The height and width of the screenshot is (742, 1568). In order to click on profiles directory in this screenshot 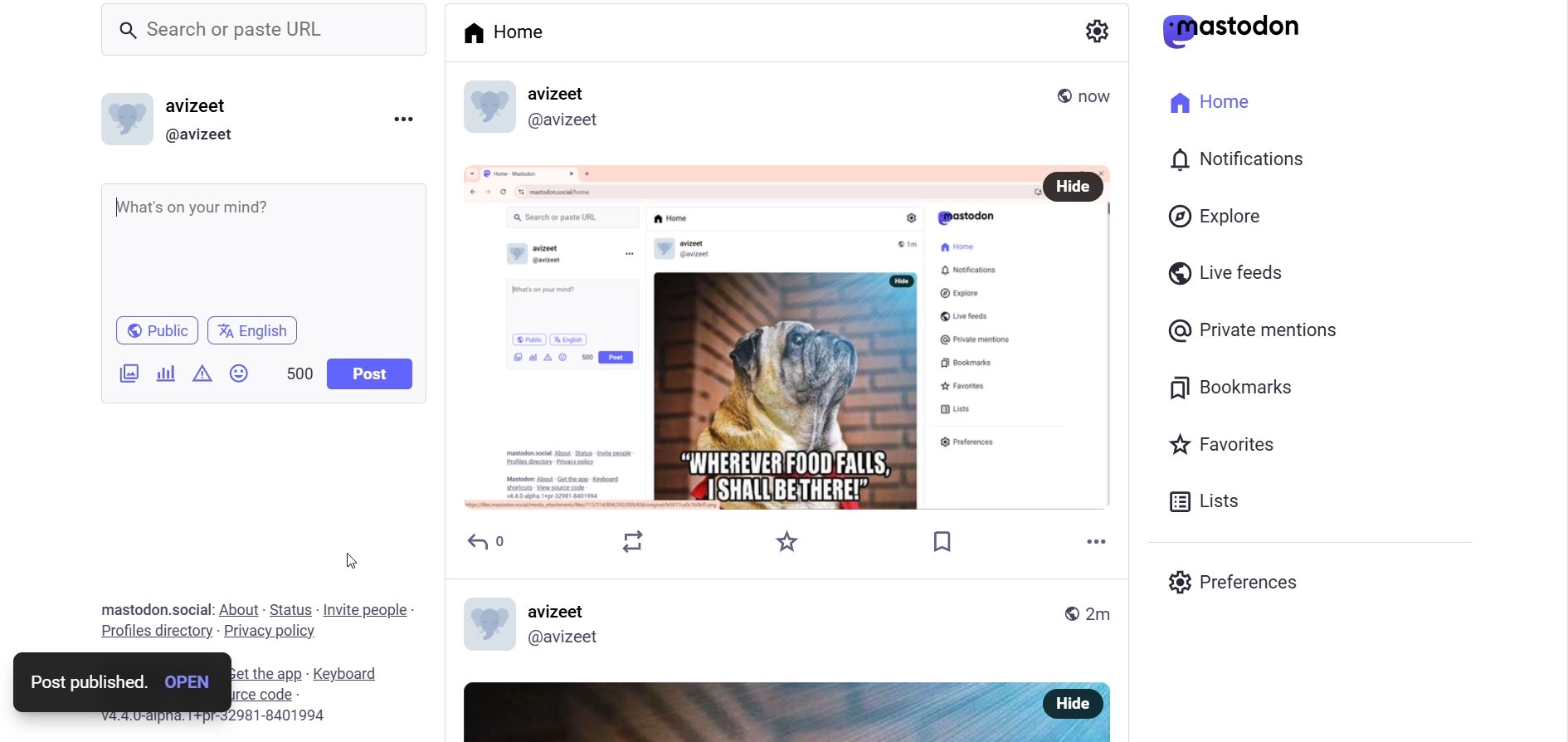, I will do `click(152, 630)`.